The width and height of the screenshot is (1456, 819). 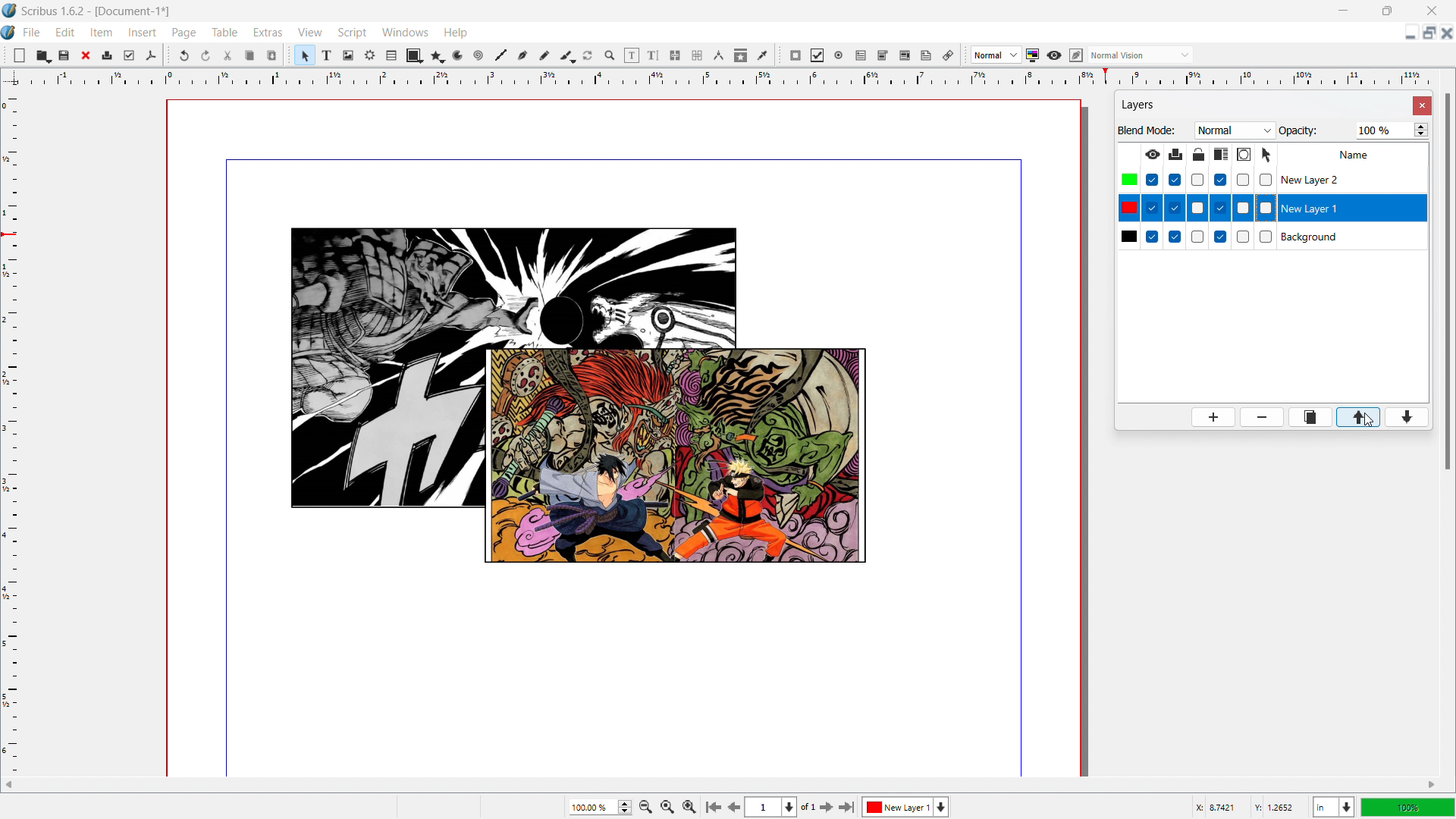 I want to click on select items, so click(x=306, y=55).